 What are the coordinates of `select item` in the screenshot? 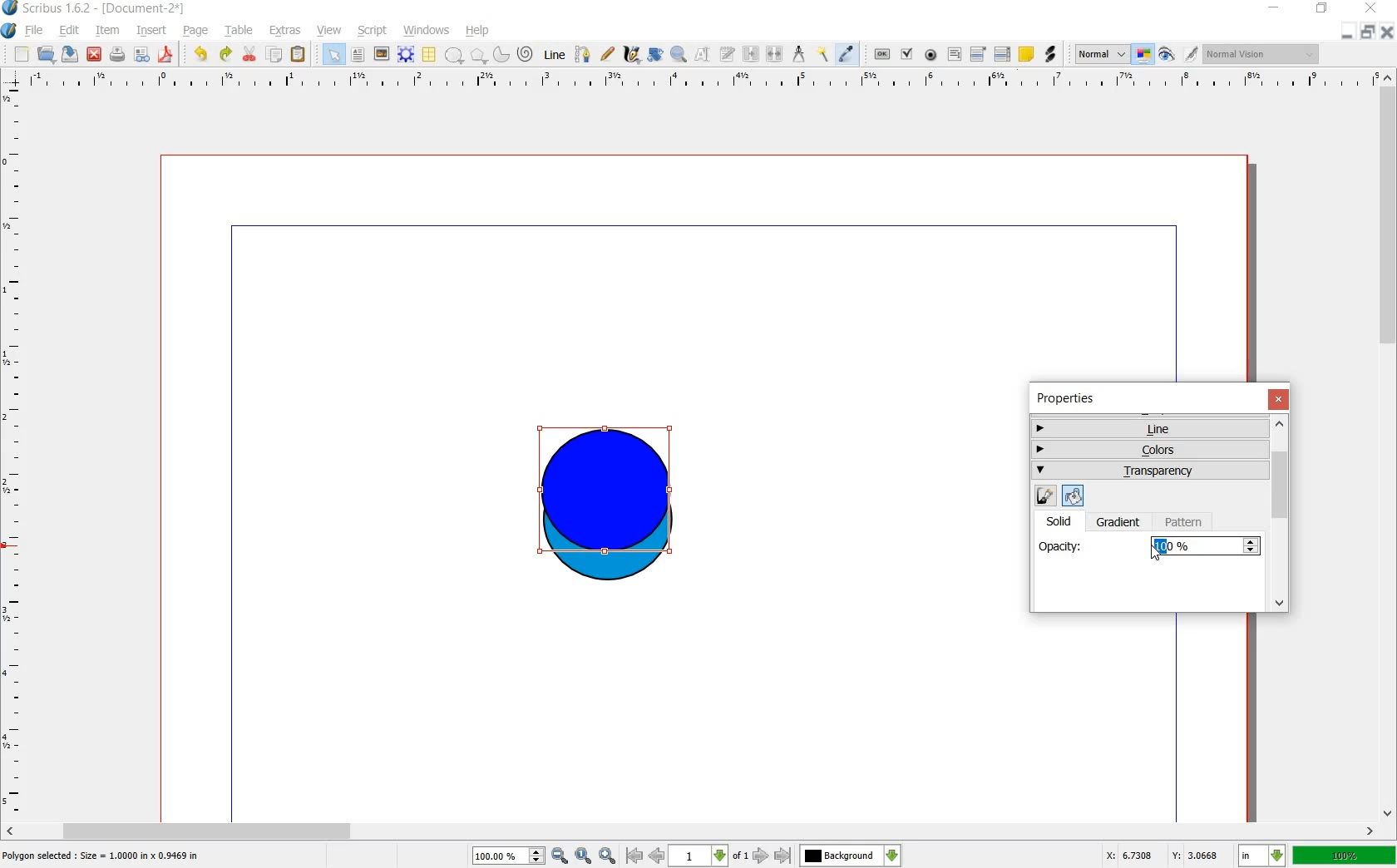 It's located at (333, 54).